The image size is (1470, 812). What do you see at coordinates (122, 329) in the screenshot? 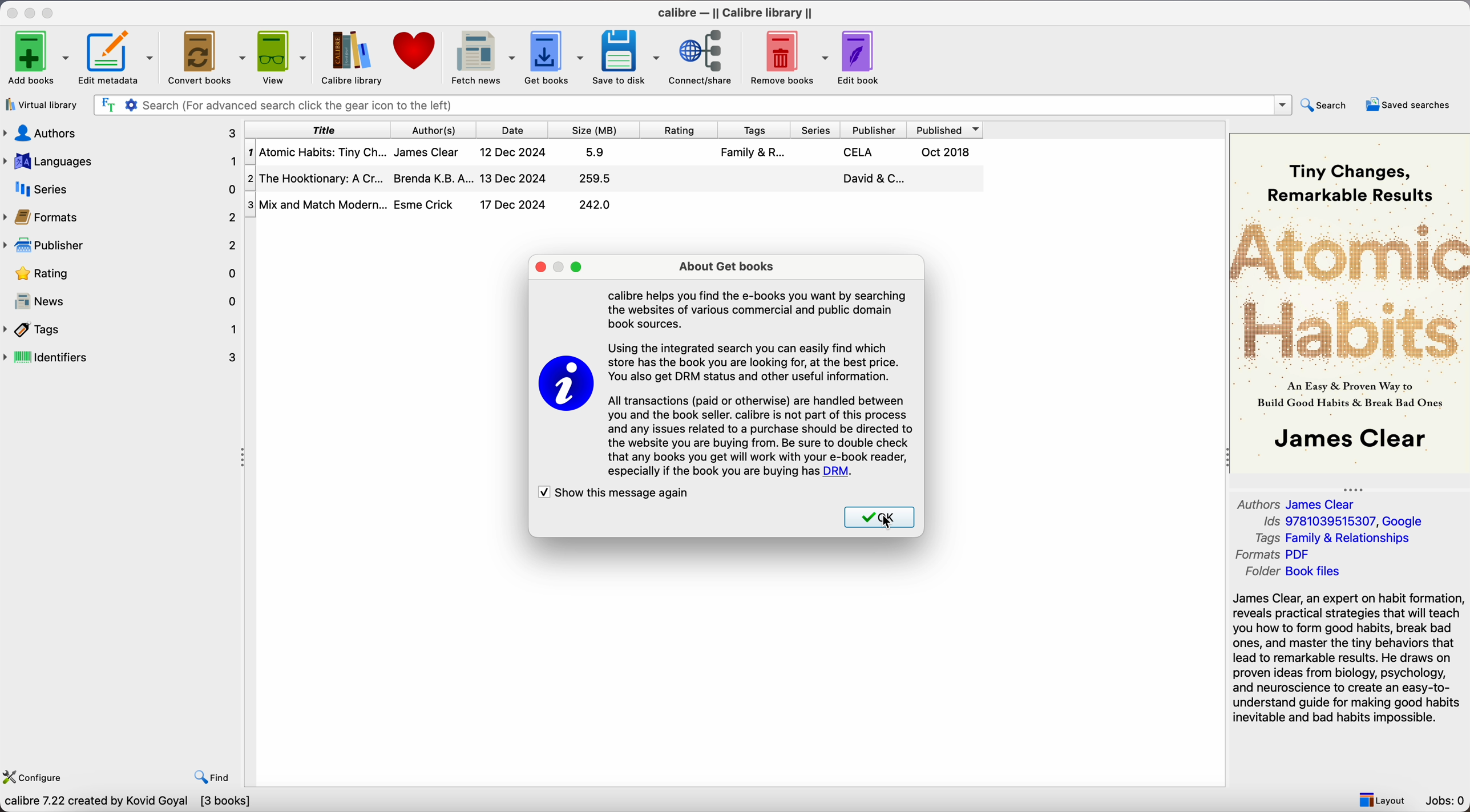
I see `tags` at bounding box center [122, 329].